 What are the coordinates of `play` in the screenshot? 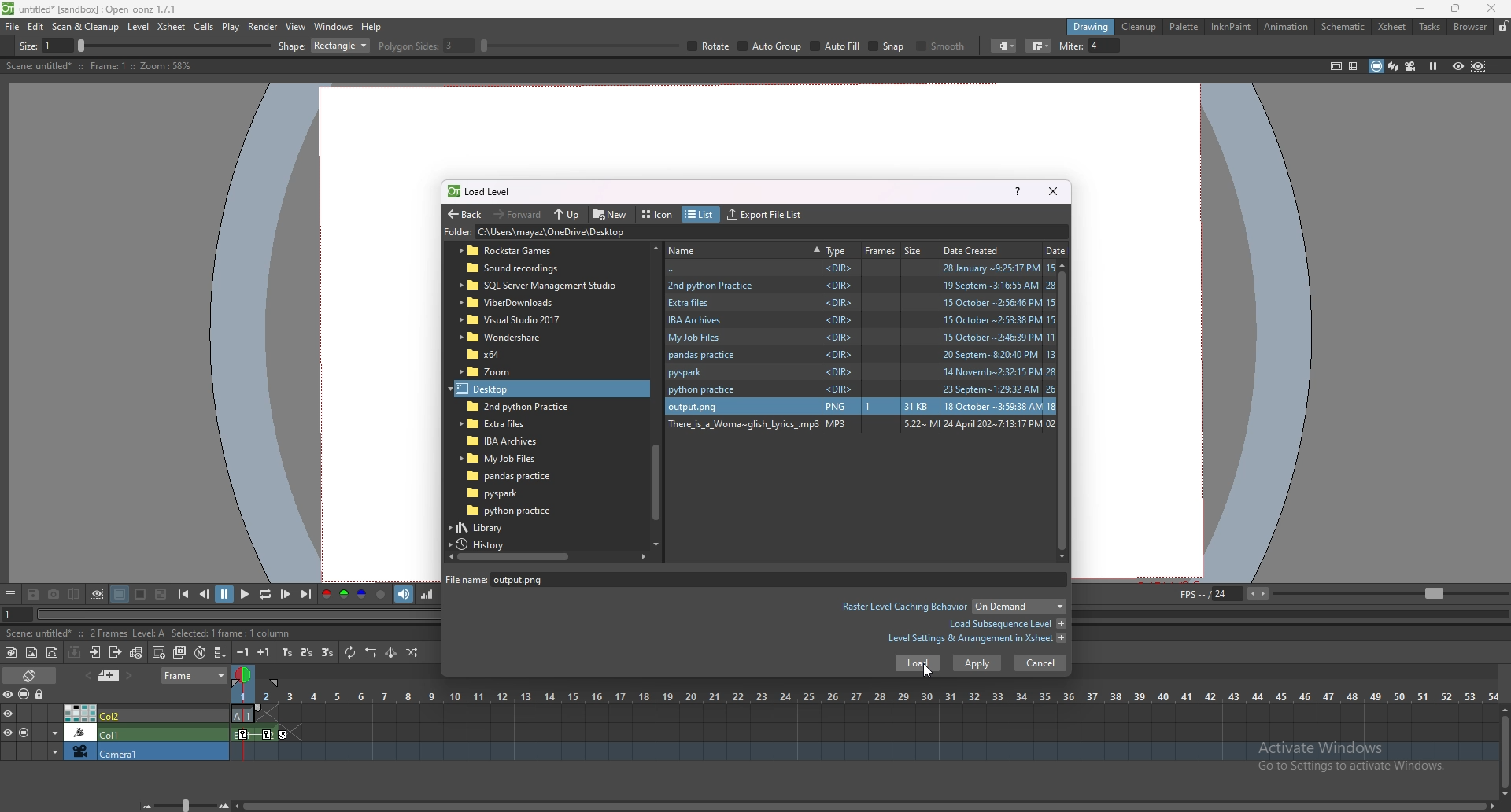 It's located at (246, 593).